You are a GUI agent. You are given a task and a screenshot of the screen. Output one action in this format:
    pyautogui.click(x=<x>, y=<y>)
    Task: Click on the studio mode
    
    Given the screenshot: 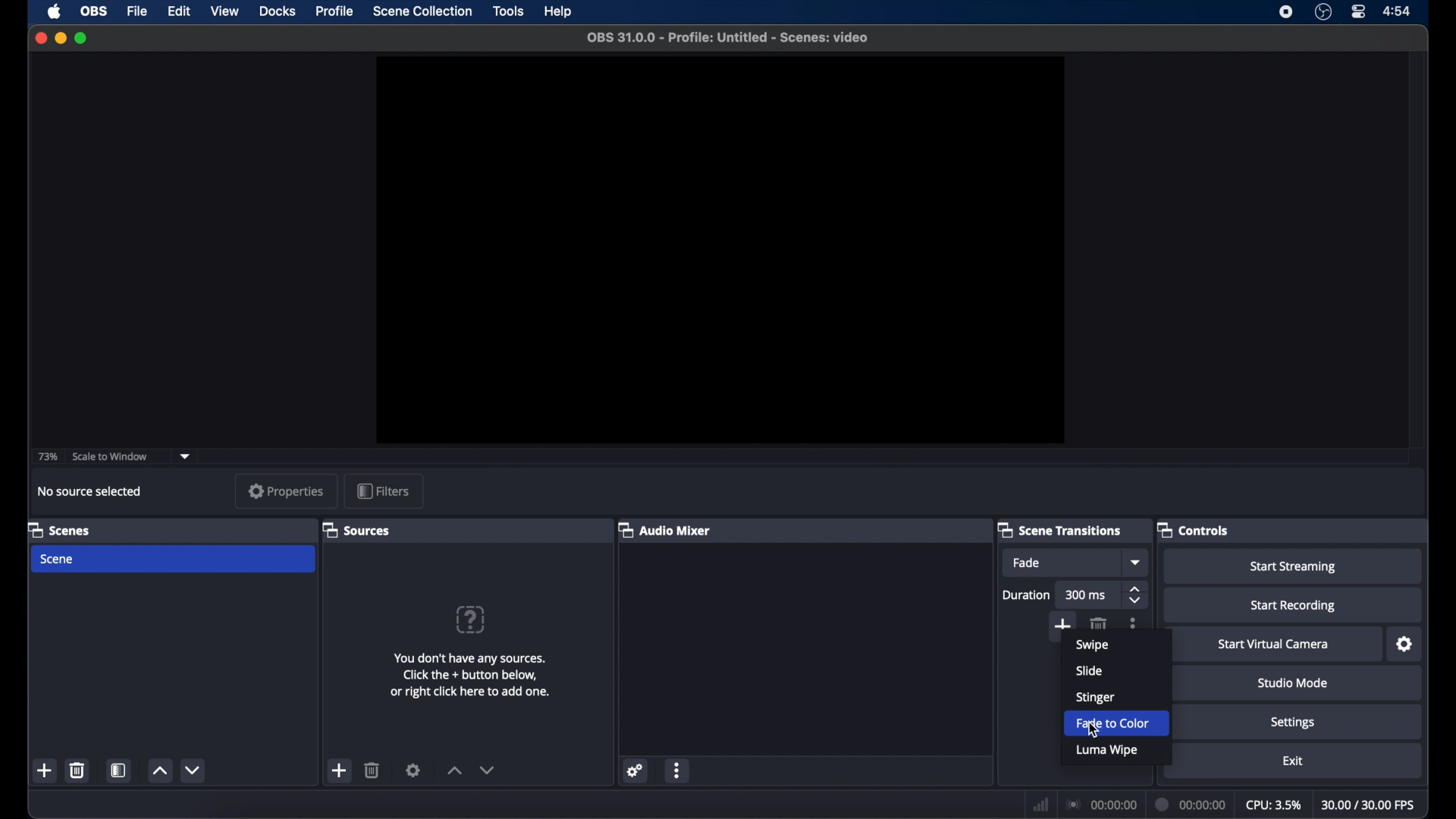 What is the action you would take?
    pyautogui.click(x=1293, y=682)
    